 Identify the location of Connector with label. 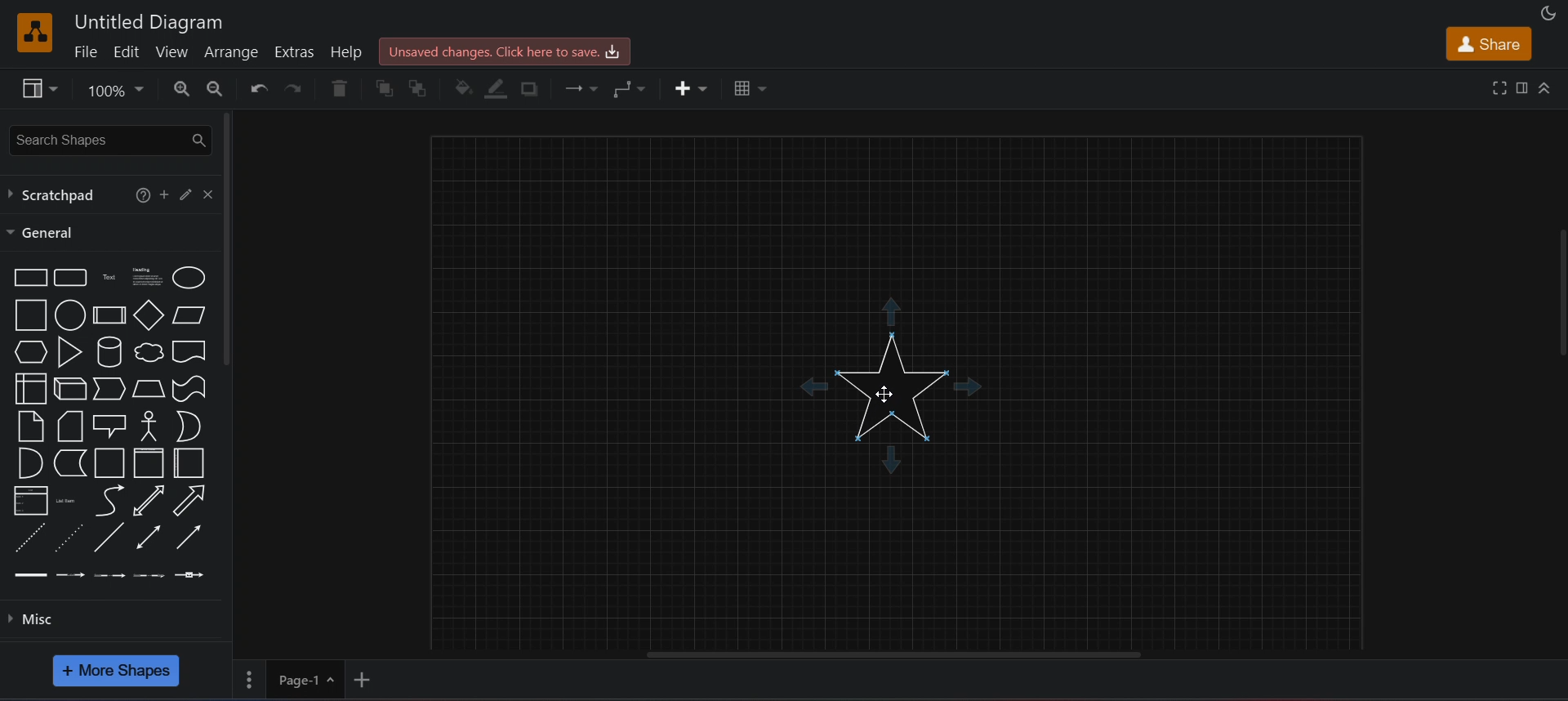
(70, 576).